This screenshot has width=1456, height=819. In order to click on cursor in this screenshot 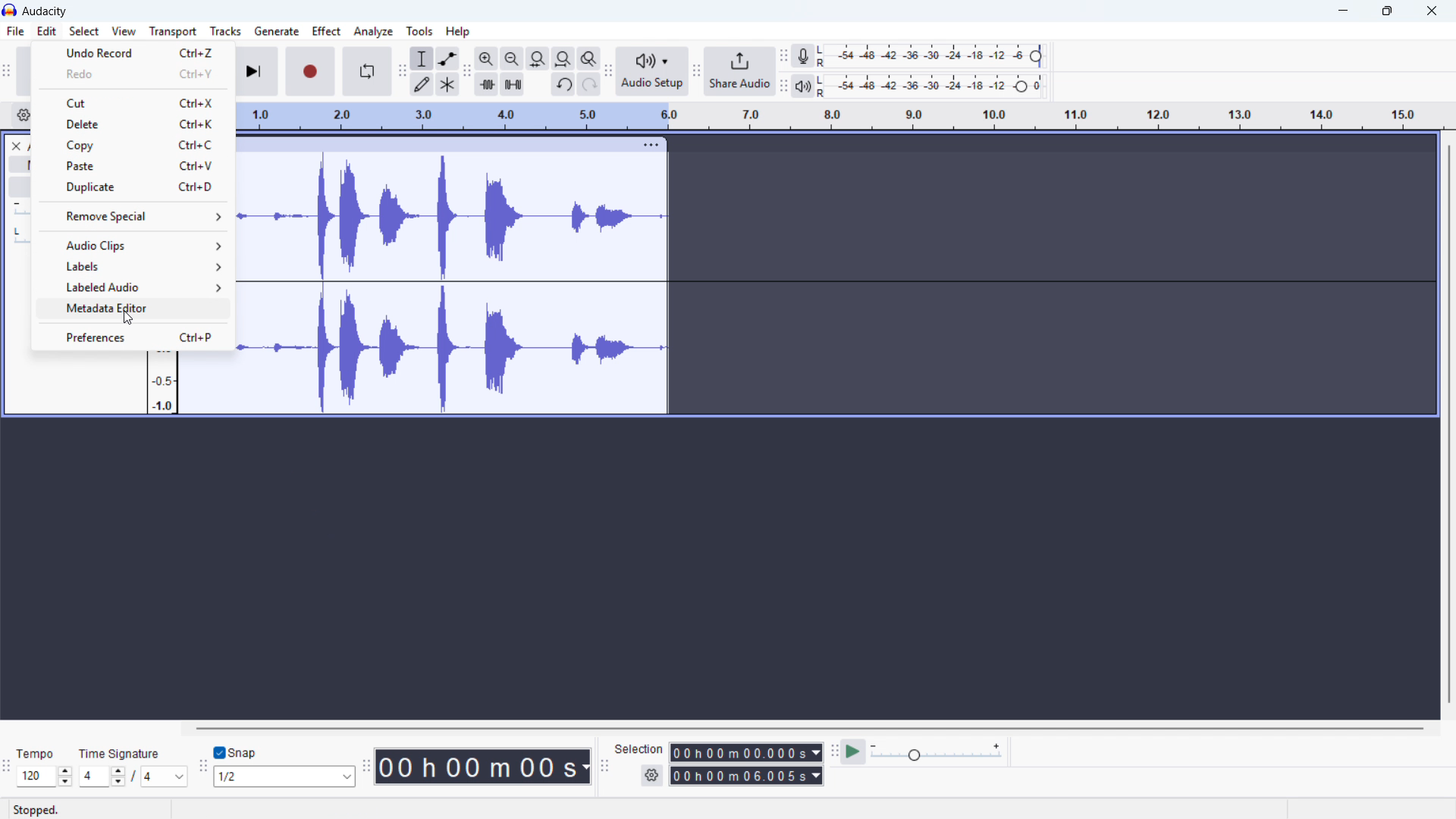, I will do `click(128, 318)`.